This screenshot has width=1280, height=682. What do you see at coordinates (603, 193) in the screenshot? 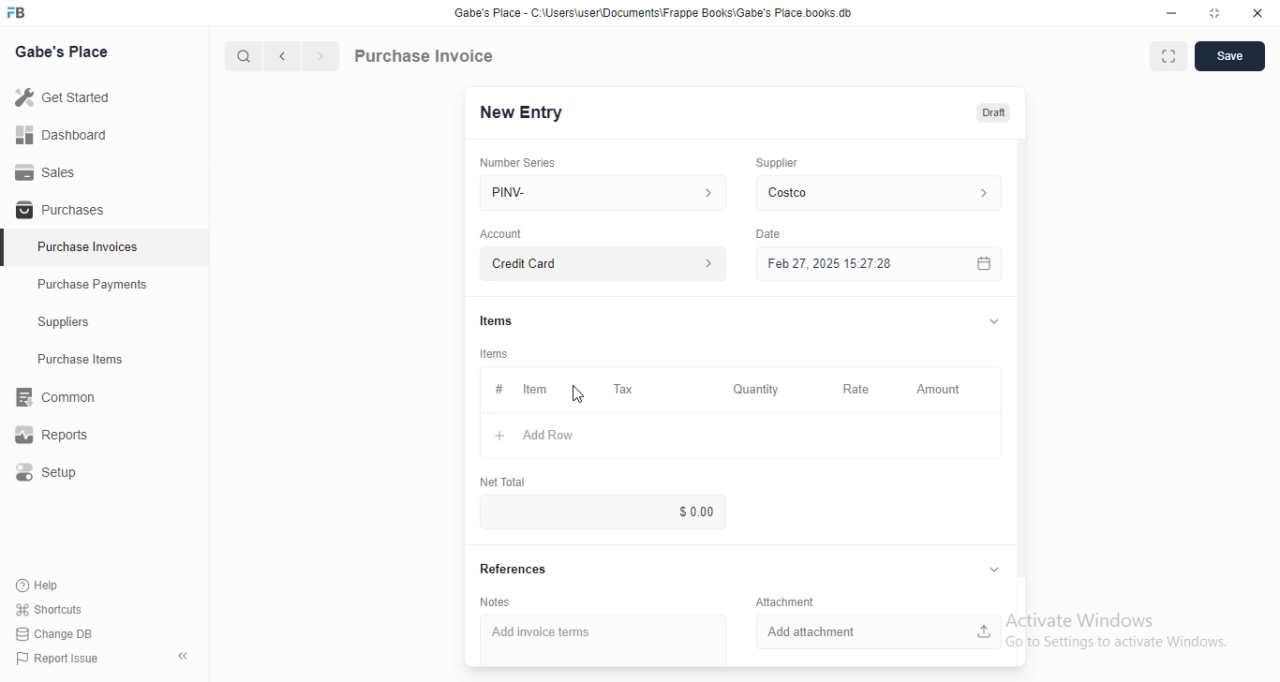
I see `PINV-` at bounding box center [603, 193].